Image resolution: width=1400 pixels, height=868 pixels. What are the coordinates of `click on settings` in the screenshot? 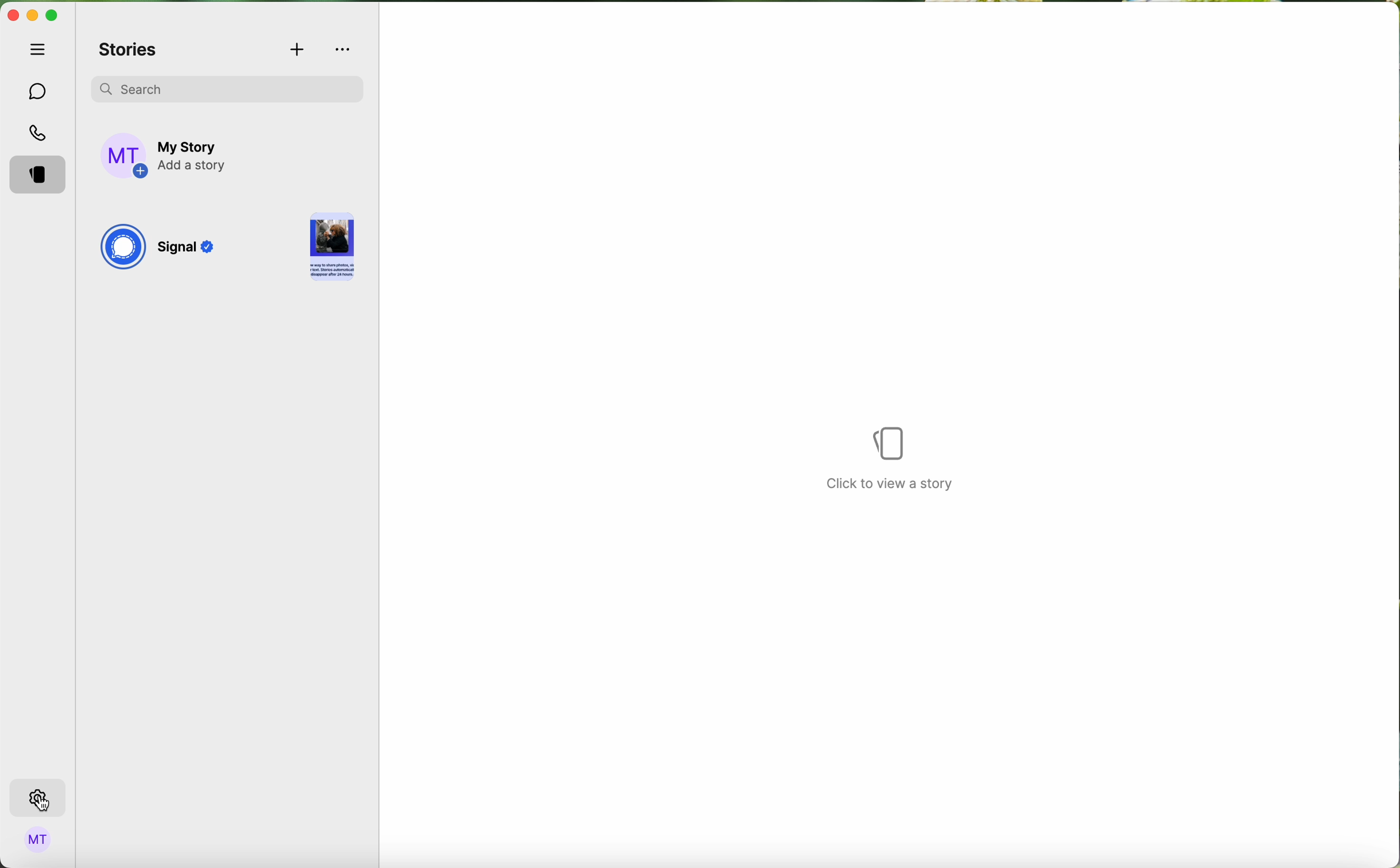 It's located at (38, 799).